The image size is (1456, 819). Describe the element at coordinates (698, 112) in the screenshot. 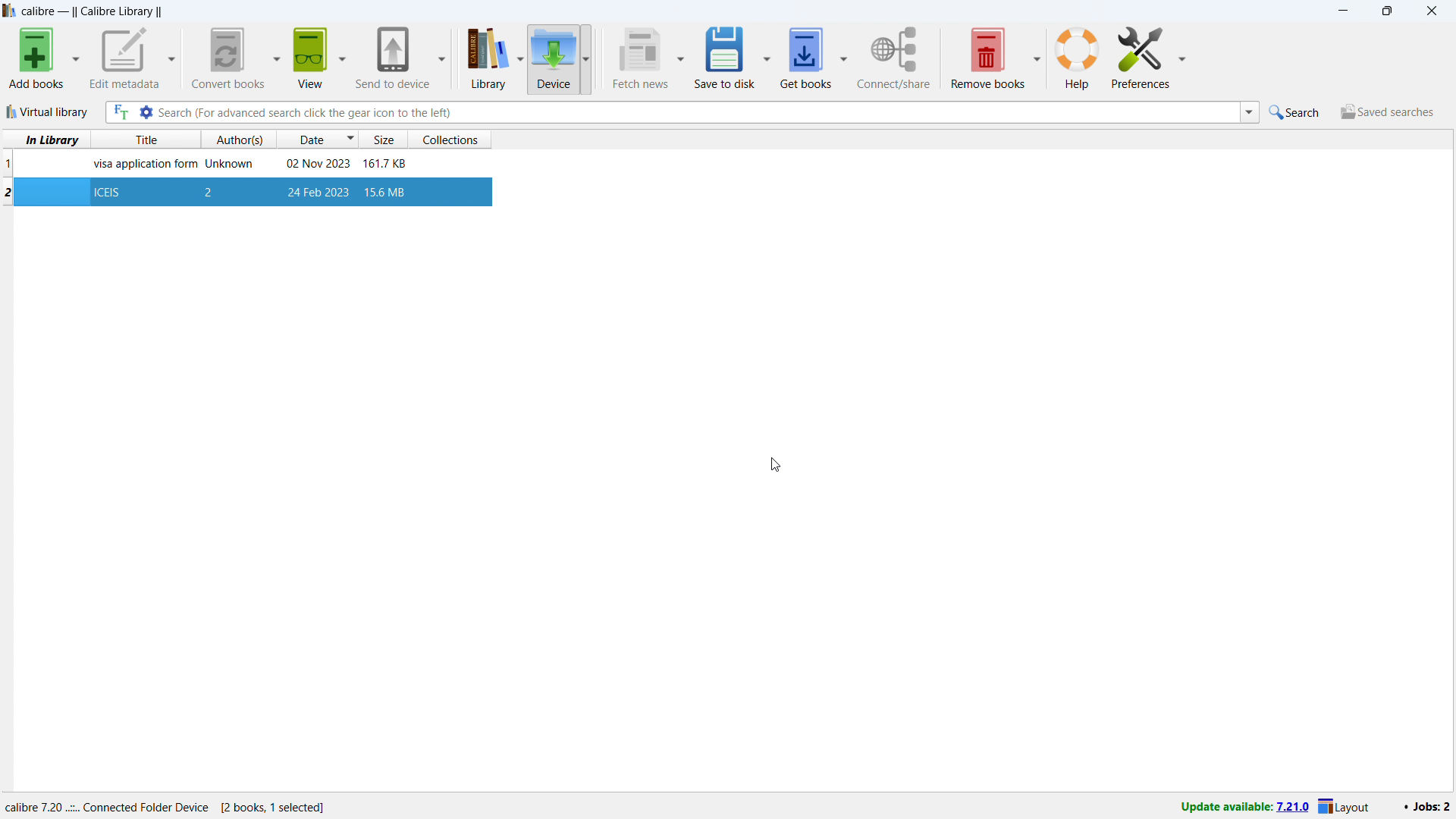

I see `enter search string` at that location.